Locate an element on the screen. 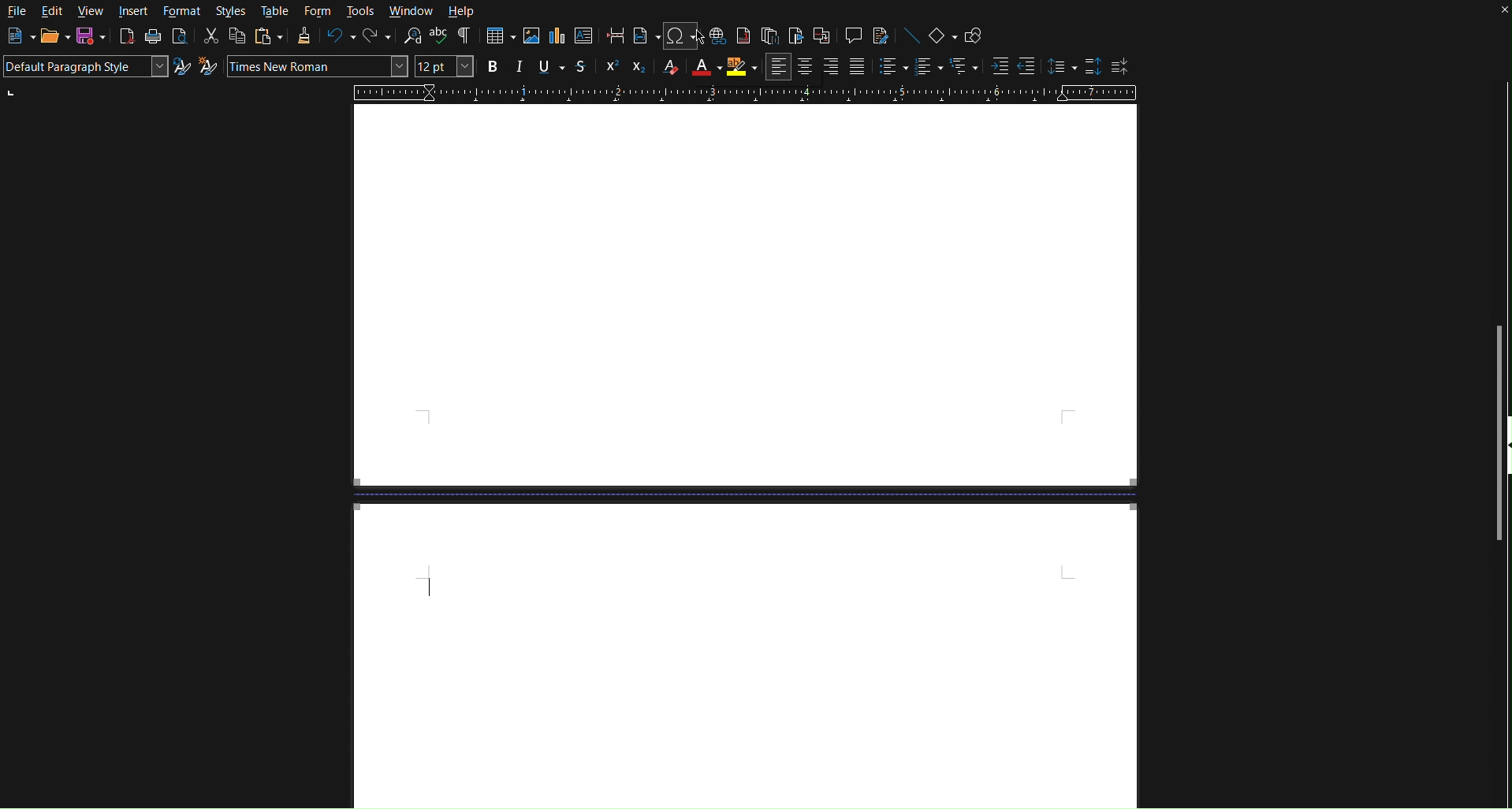 This screenshot has height=809, width=1512. Form is located at coordinates (315, 11).